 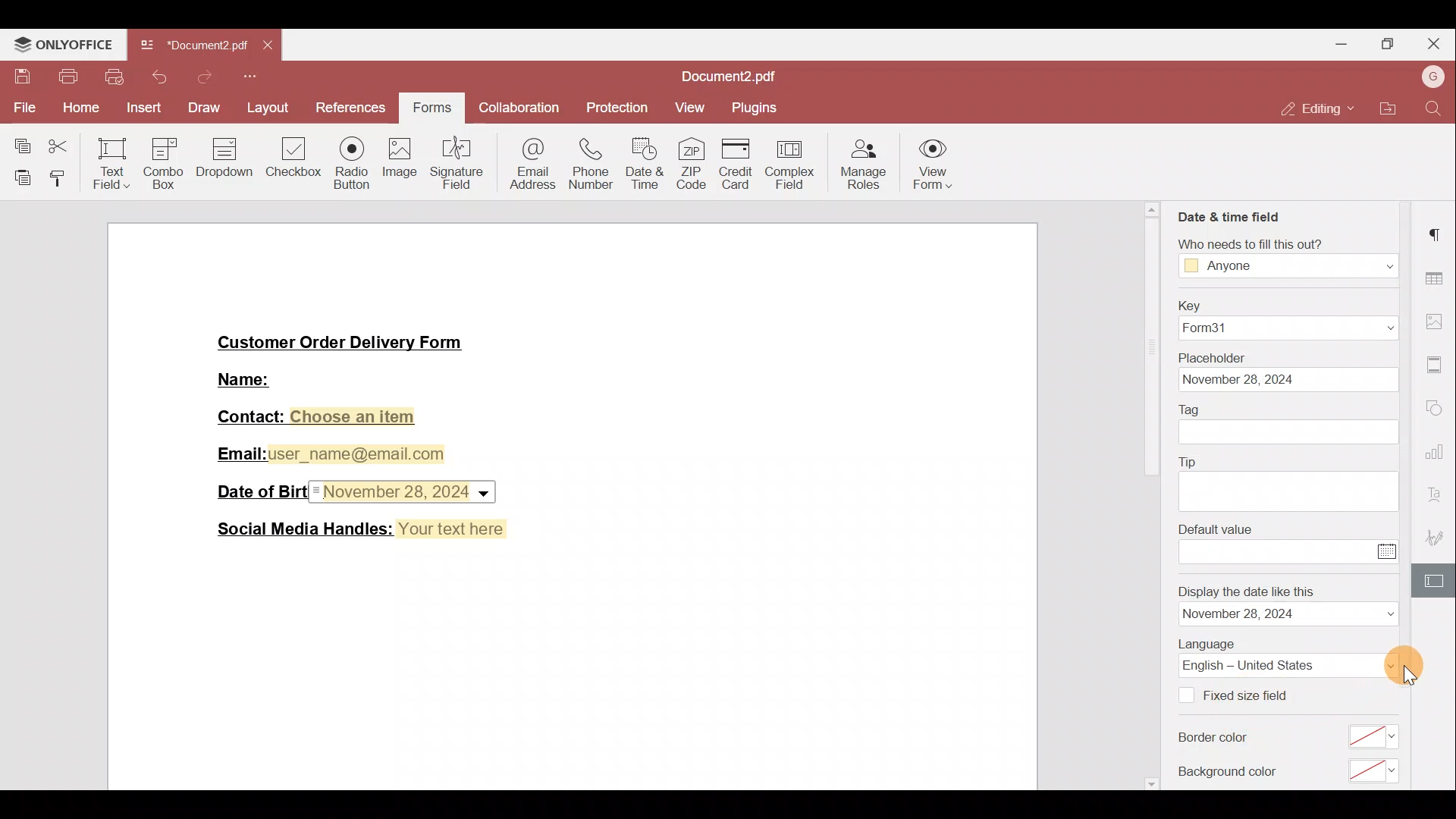 What do you see at coordinates (695, 165) in the screenshot?
I see `ZIP code` at bounding box center [695, 165].